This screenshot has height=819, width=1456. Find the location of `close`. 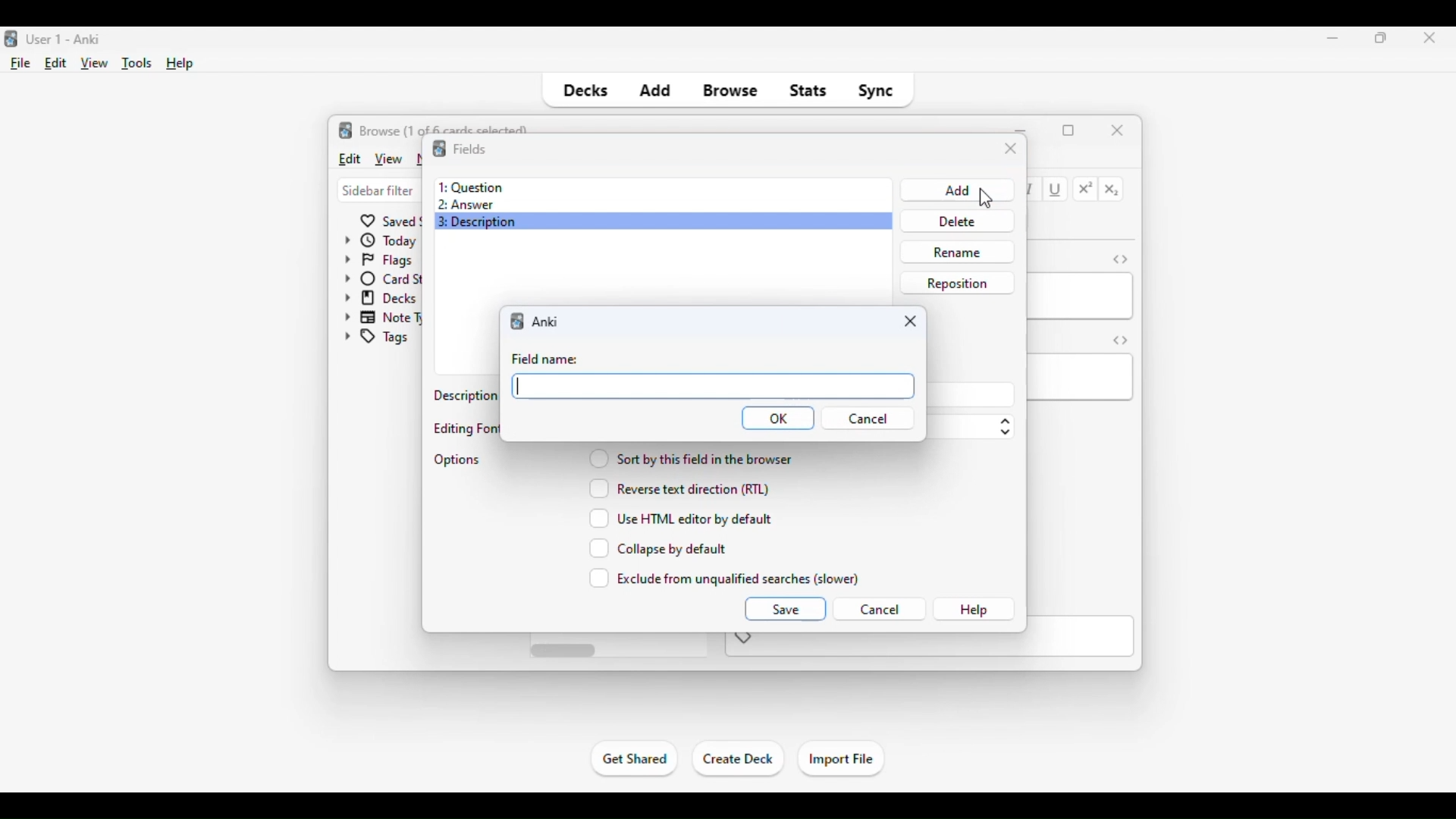

close is located at coordinates (1118, 129).